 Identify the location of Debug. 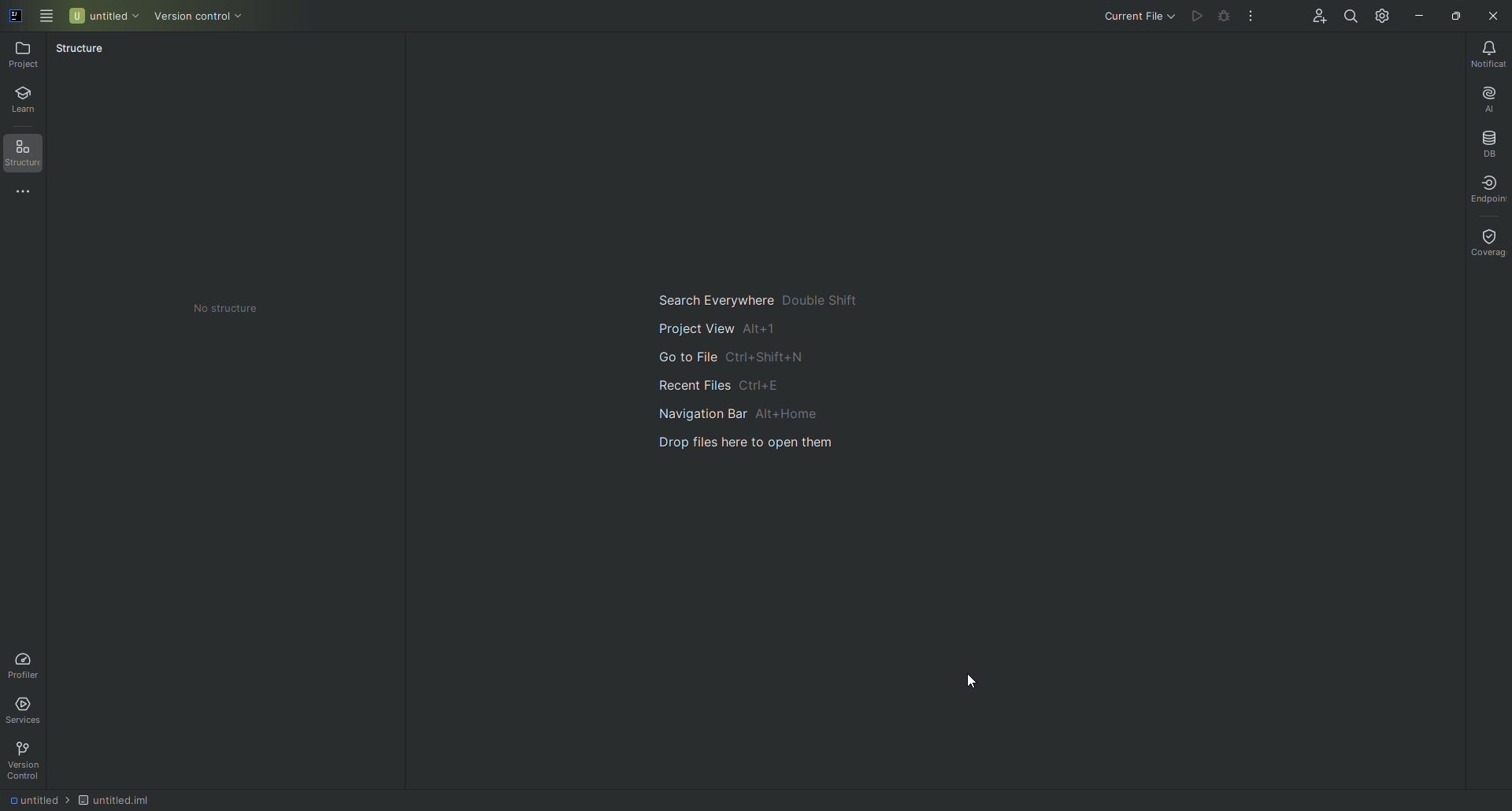
(1222, 17).